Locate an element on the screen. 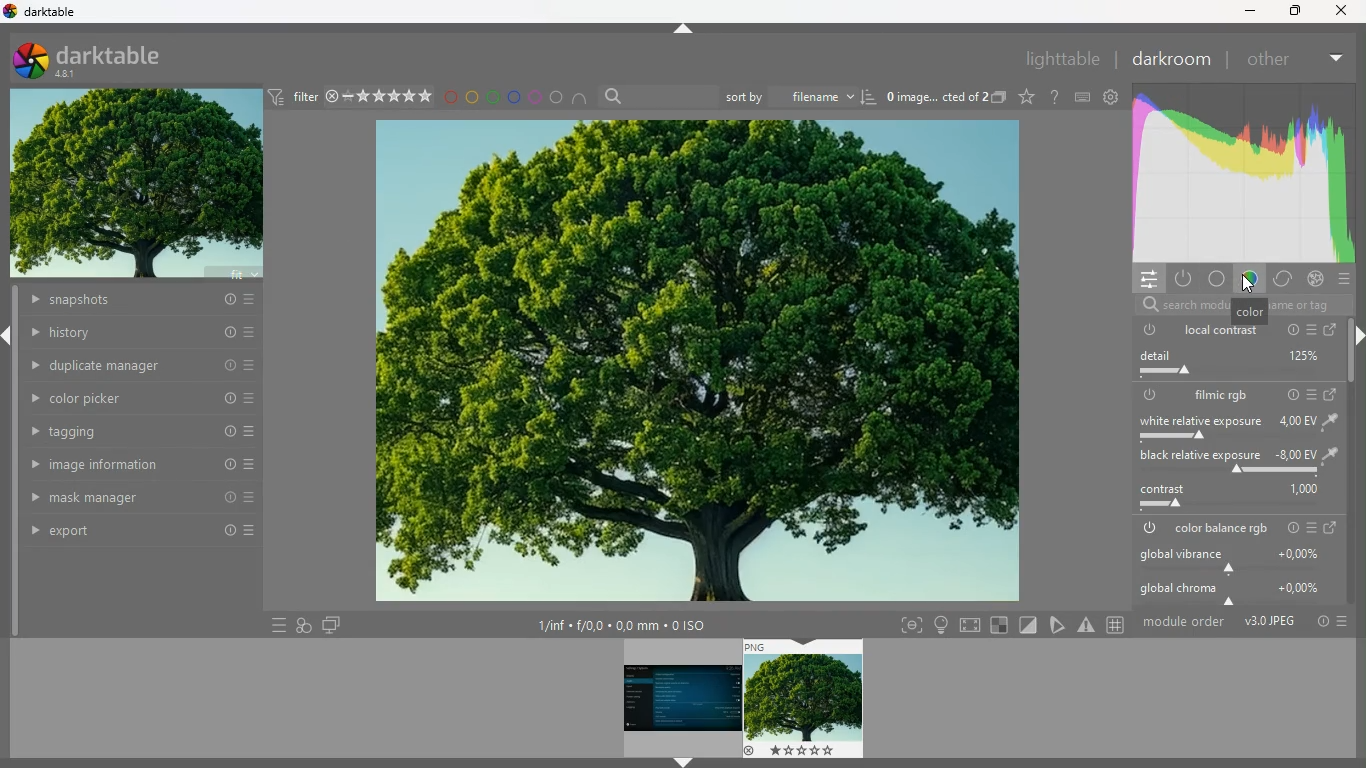 The height and width of the screenshot is (768, 1366). warning is located at coordinates (1087, 625).